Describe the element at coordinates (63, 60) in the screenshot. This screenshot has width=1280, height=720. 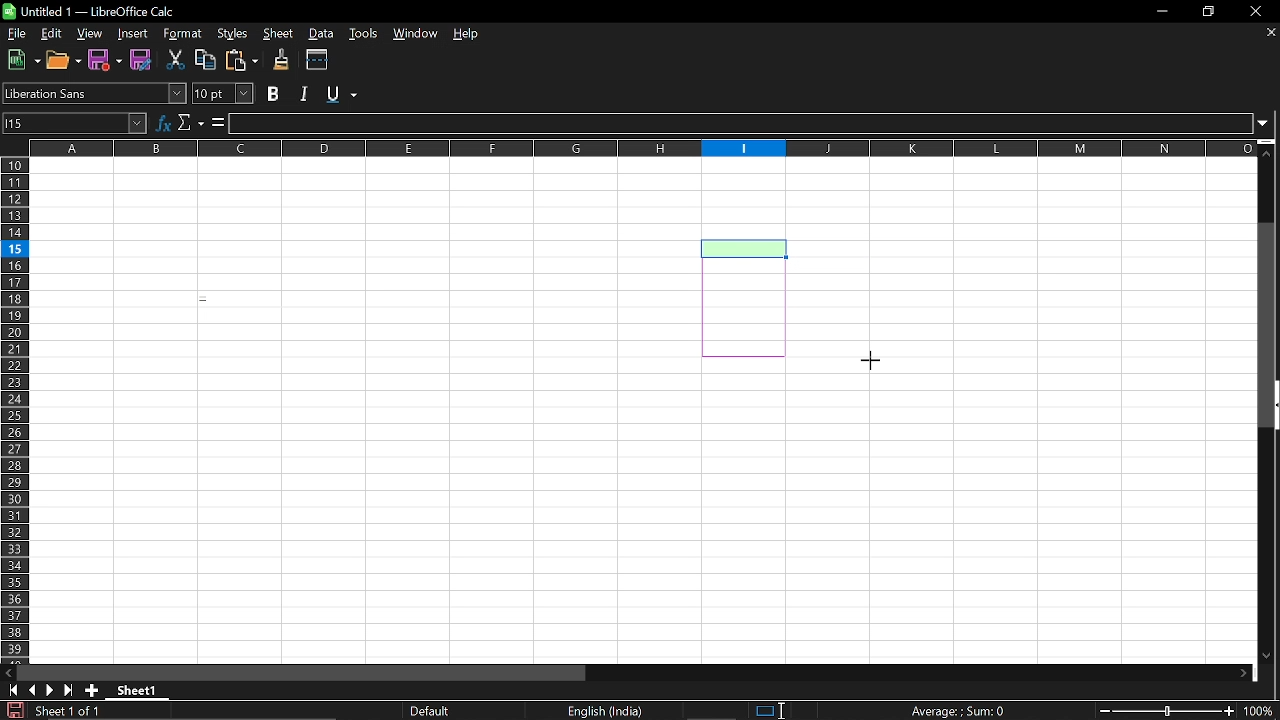
I see `Open` at that location.